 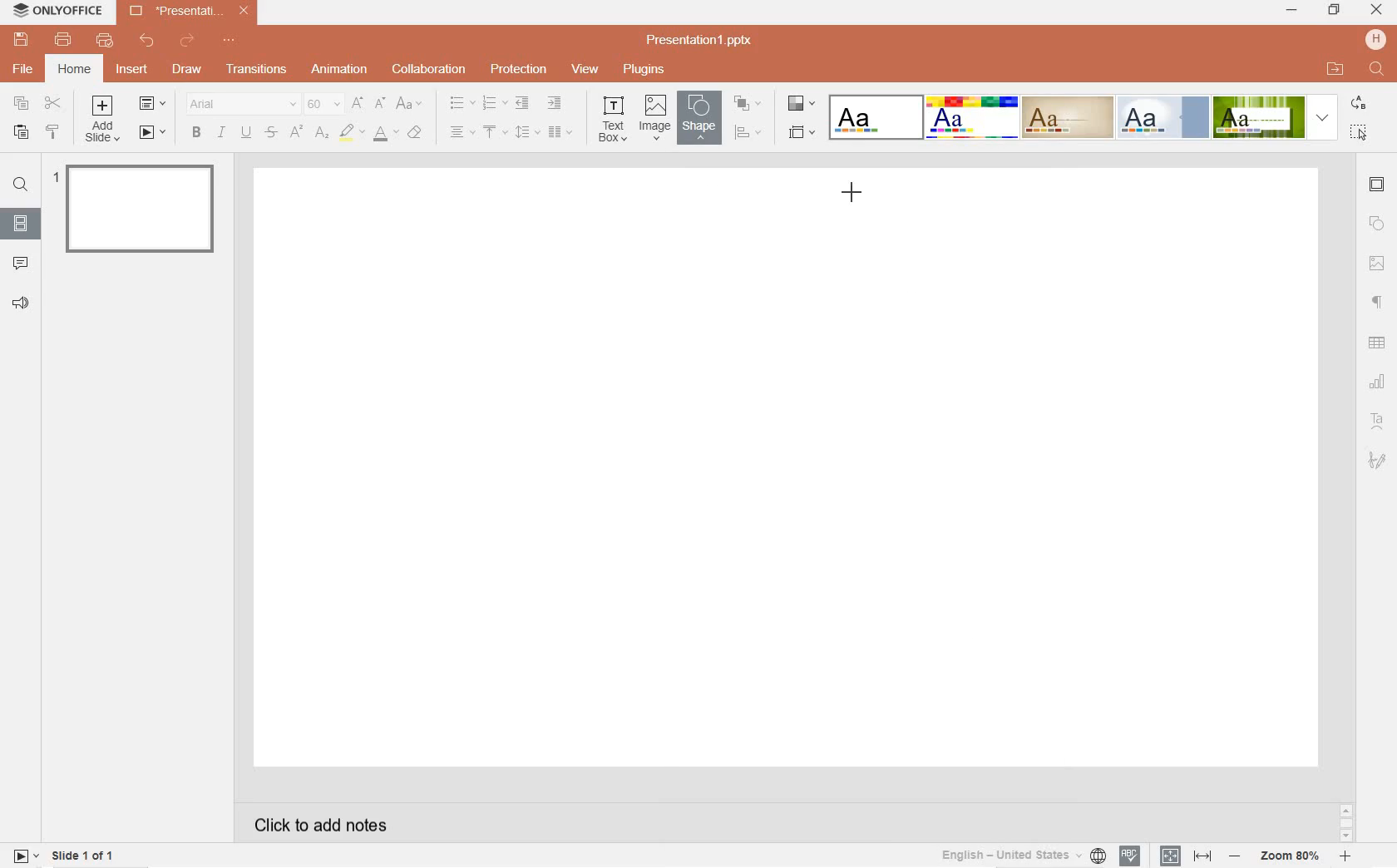 What do you see at coordinates (462, 103) in the screenshot?
I see `bullet` at bounding box center [462, 103].